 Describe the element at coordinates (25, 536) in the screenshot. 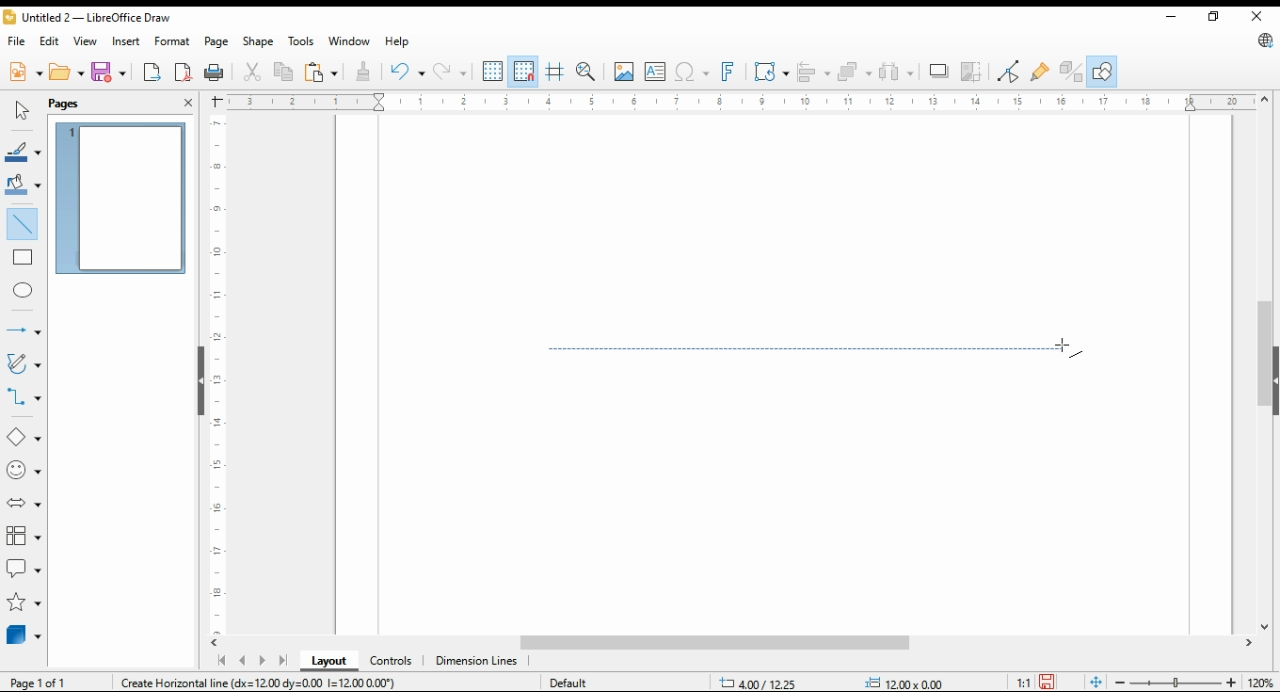

I see `flowchart` at that location.